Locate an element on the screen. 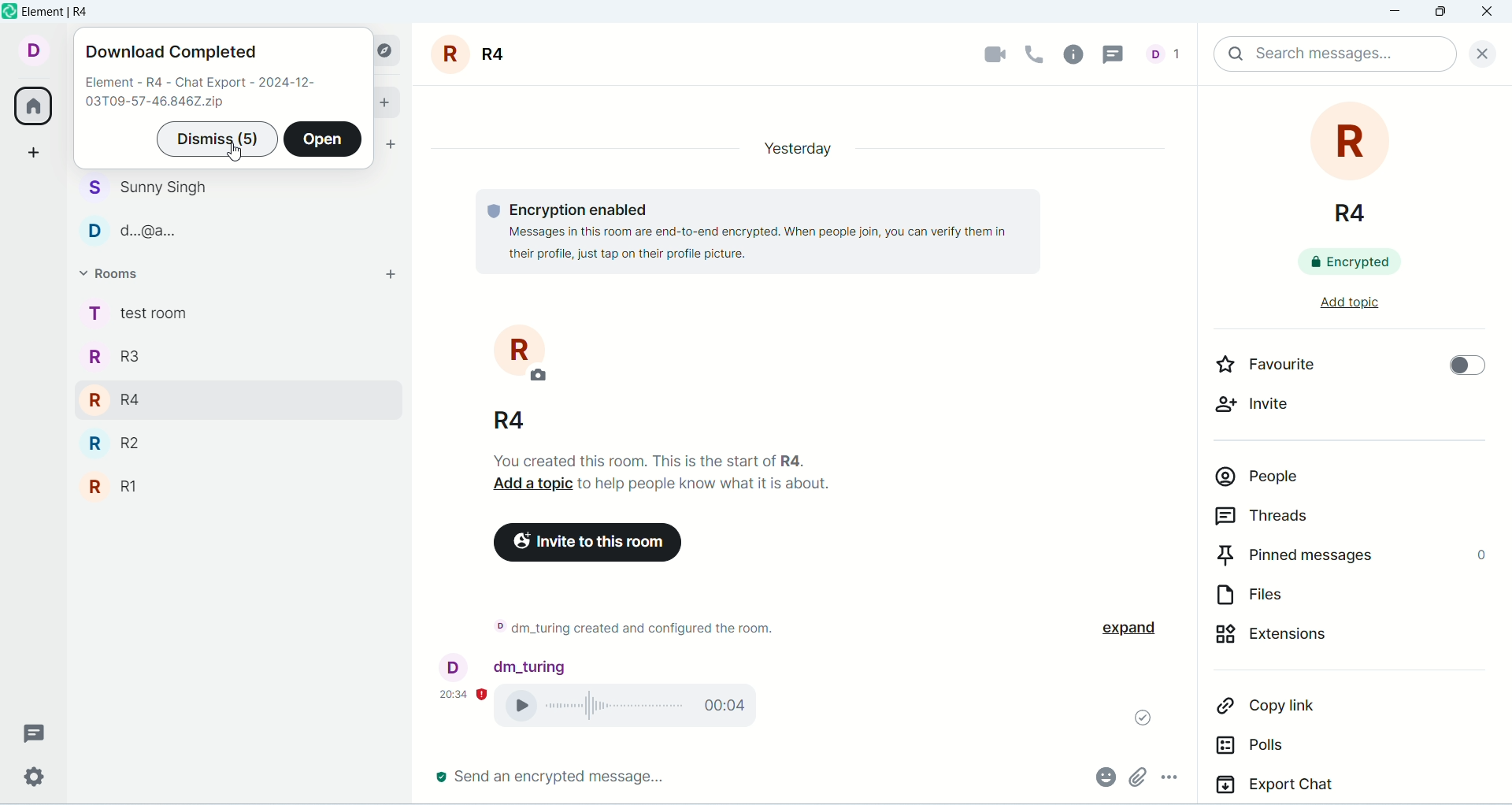 Image resolution: width=1512 pixels, height=805 pixels. message sent is located at coordinates (1136, 714).